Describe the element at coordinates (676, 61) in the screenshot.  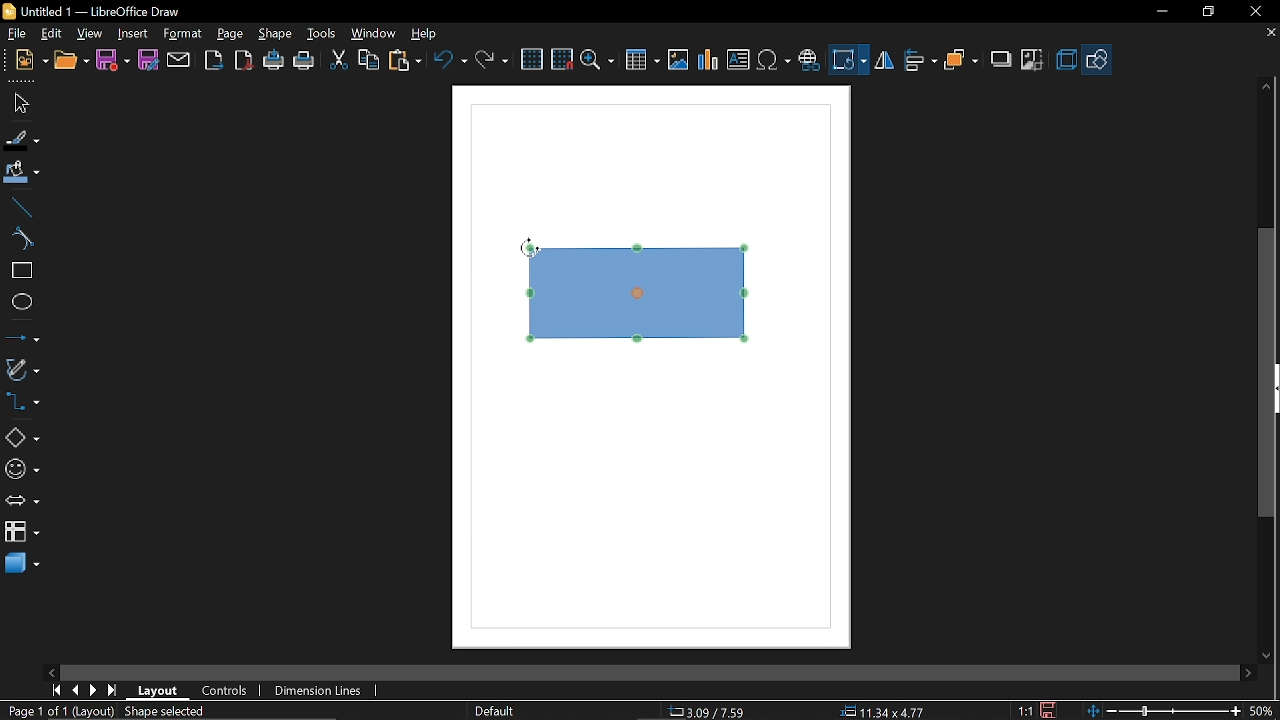
I see `Insert Image` at that location.